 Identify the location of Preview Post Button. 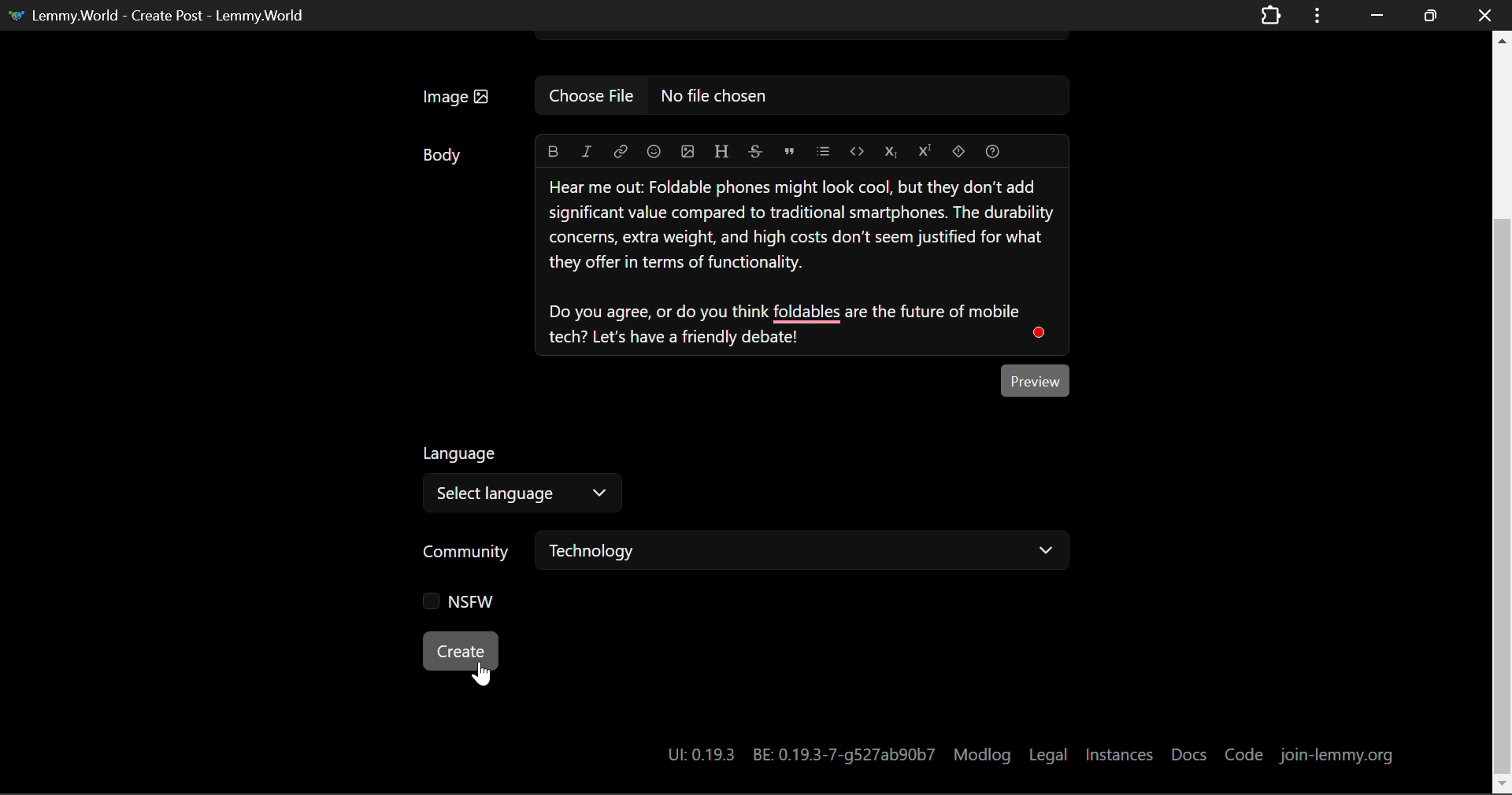
(1038, 379).